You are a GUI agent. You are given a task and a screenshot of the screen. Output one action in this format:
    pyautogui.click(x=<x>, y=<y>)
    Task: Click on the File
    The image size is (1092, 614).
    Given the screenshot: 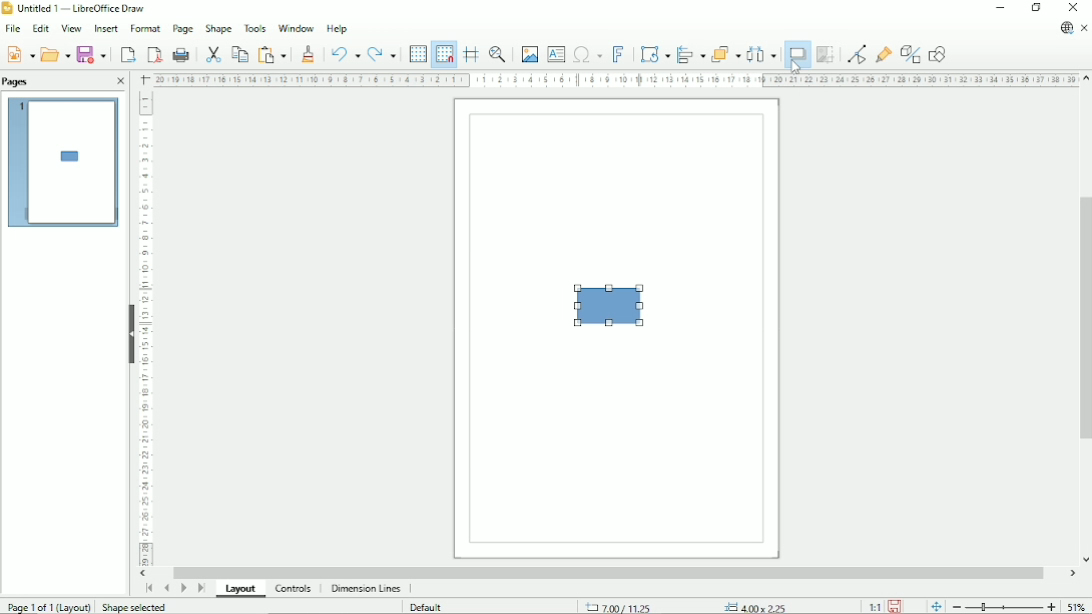 What is the action you would take?
    pyautogui.click(x=13, y=29)
    